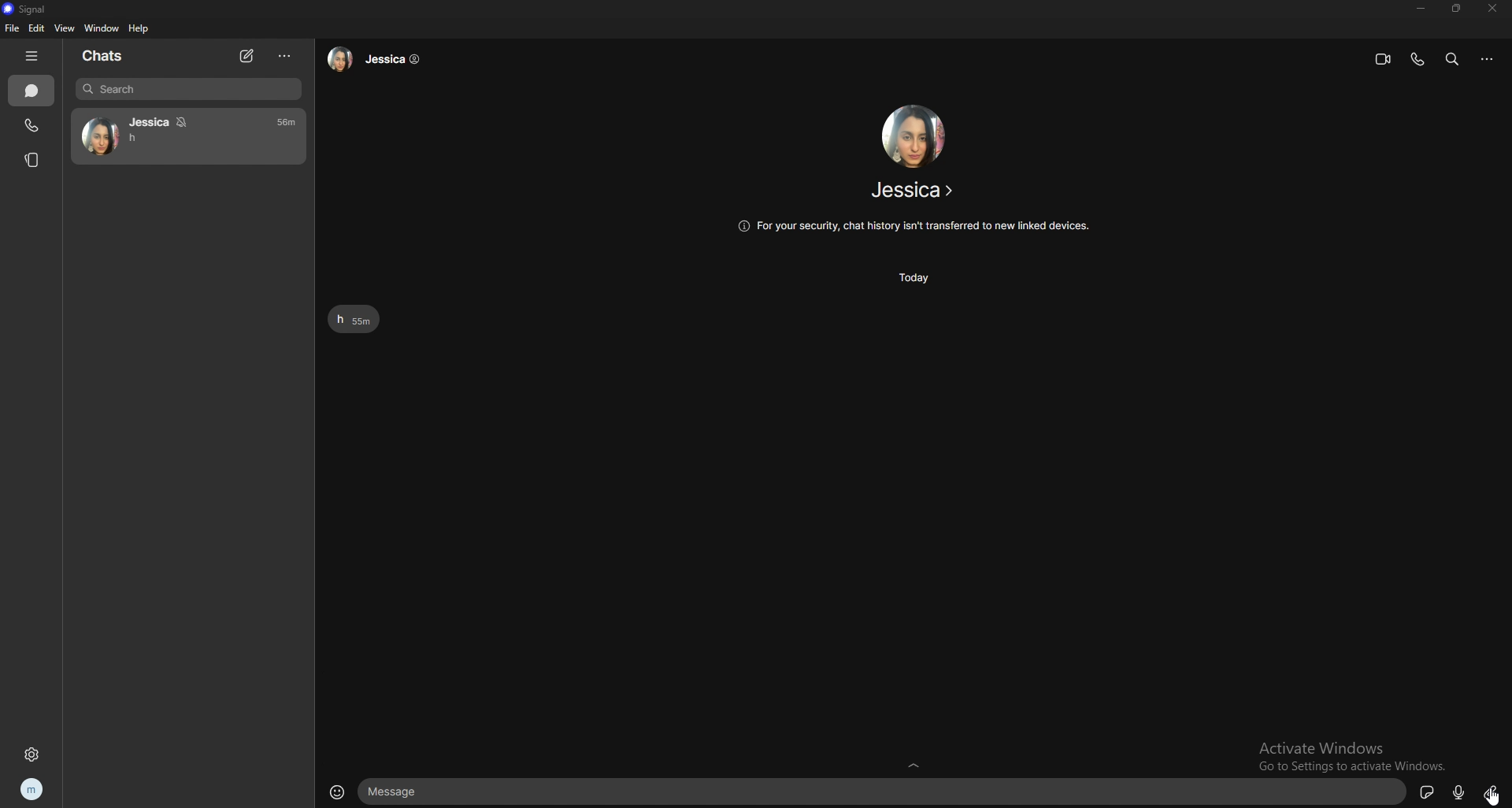  What do you see at coordinates (1493, 791) in the screenshot?
I see `attachment` at bounding box center [1493, 791].